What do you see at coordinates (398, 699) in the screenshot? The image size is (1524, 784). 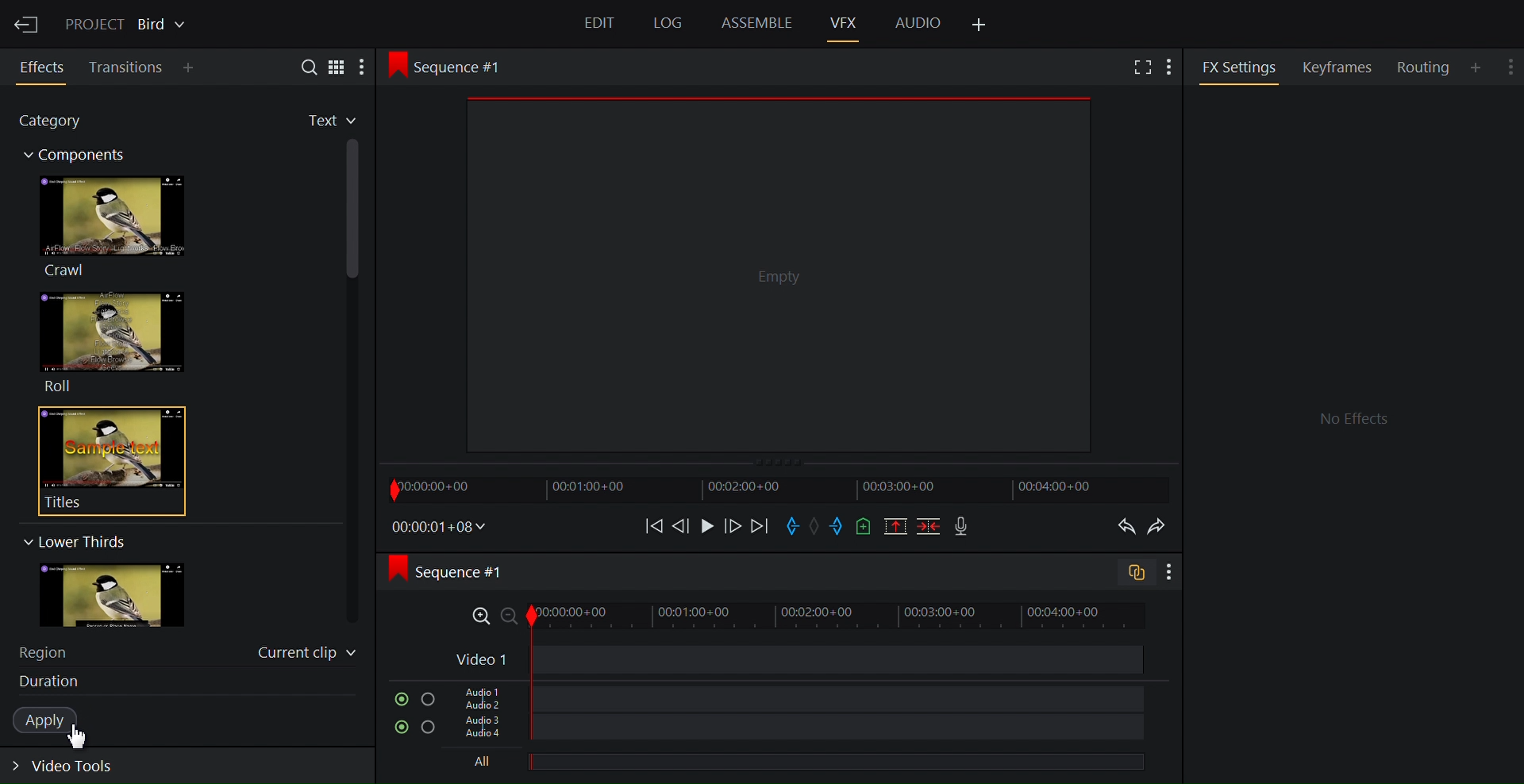 I see `Mute/Unmute` at bounding box center [398, 699].